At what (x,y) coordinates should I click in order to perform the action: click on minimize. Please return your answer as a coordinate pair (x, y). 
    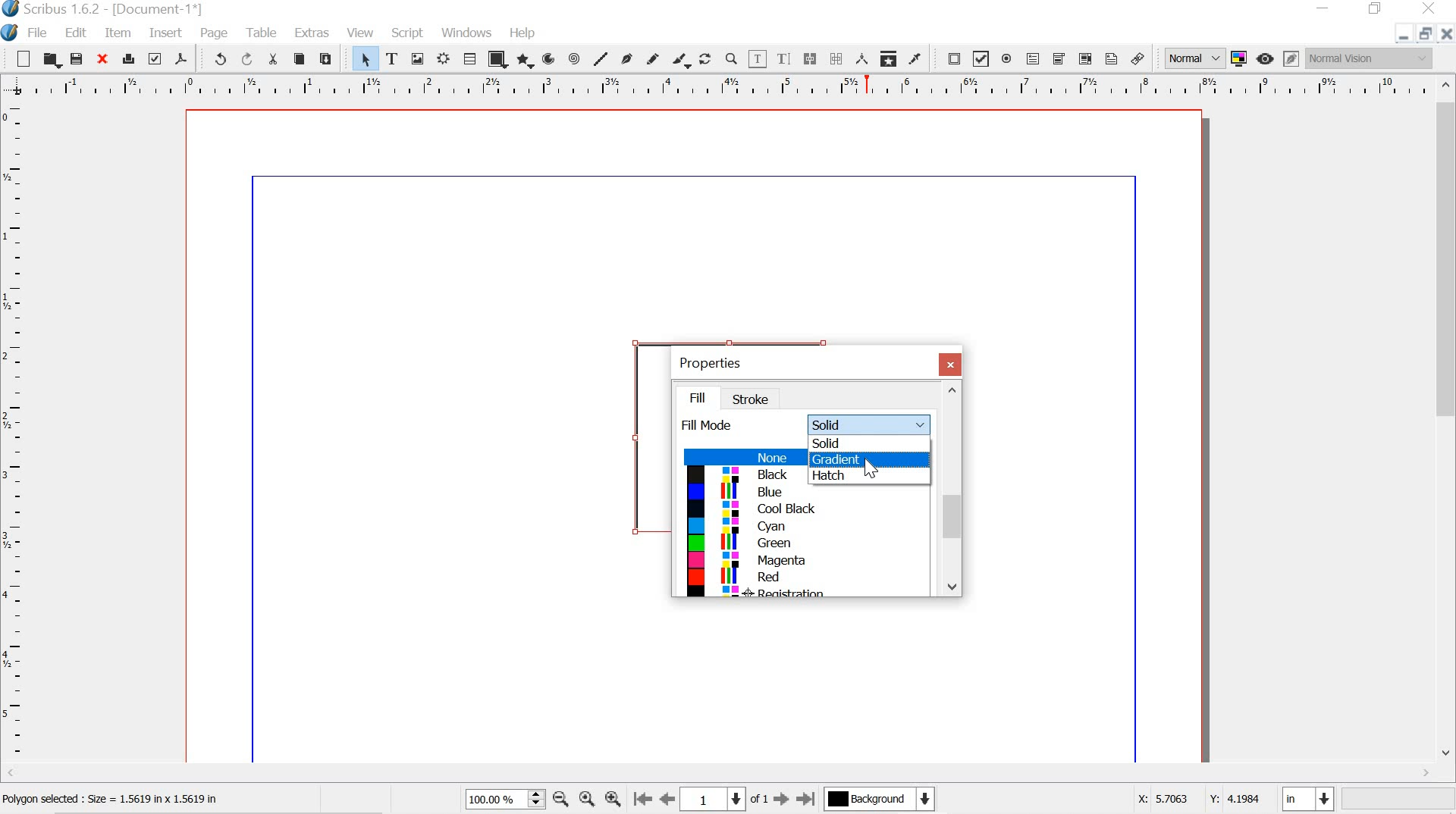
    Looking at the image, I should click on (1325, 9).